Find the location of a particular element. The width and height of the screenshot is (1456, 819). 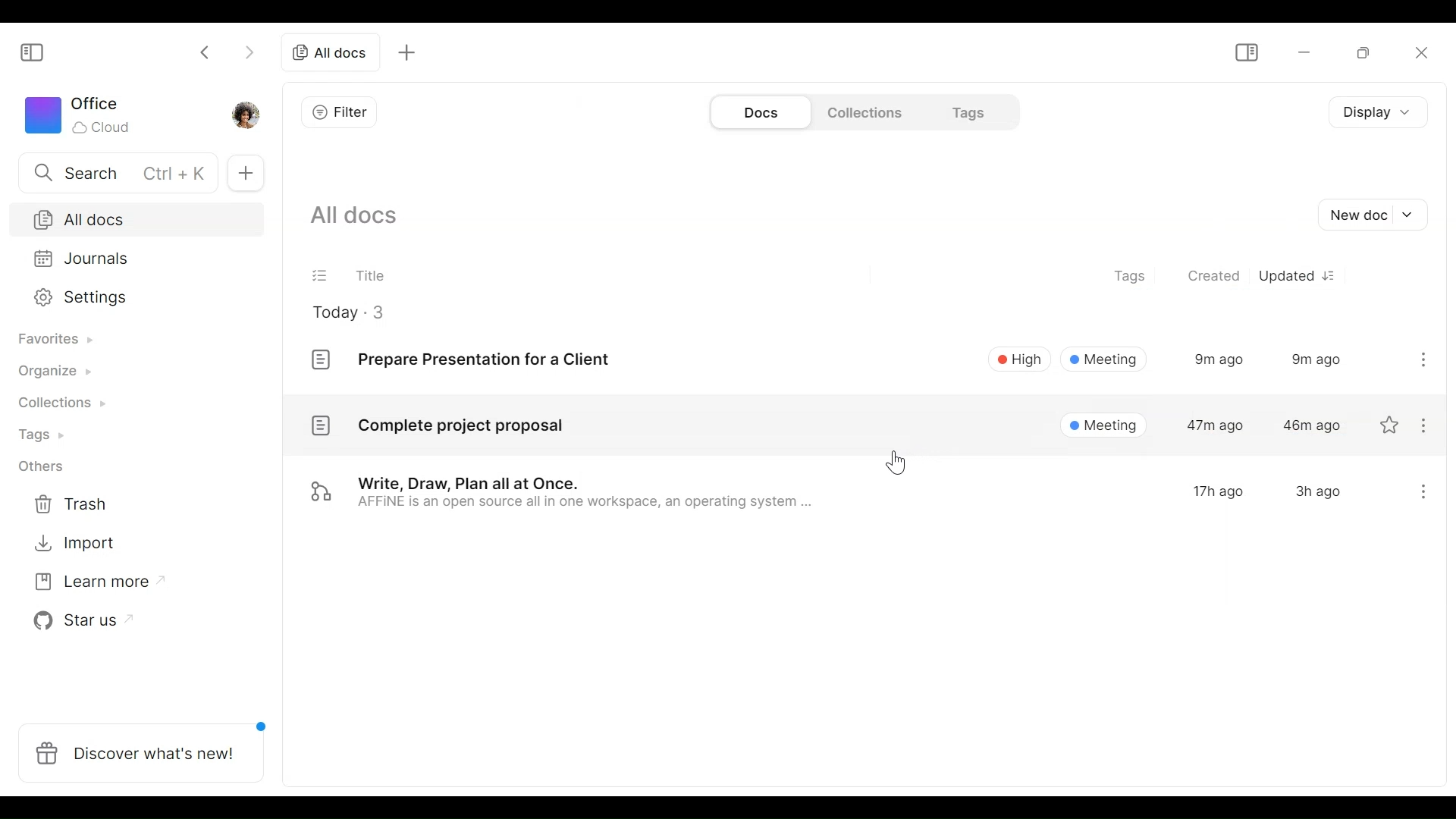

Learn more is located at coordinates (93, 585).